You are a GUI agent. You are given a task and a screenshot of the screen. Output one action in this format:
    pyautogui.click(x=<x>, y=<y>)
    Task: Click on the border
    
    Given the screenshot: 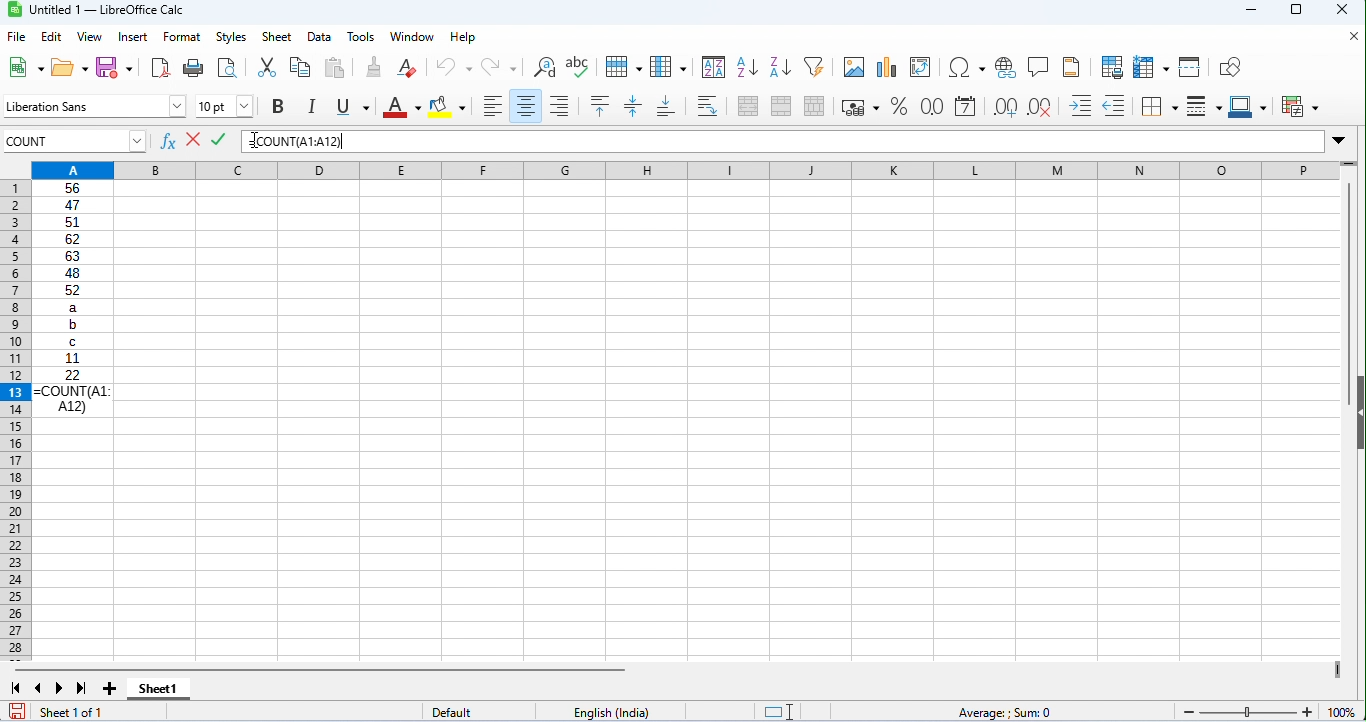 What is the action you would take?
    pyautogui.click(x=1159, y=107)
    